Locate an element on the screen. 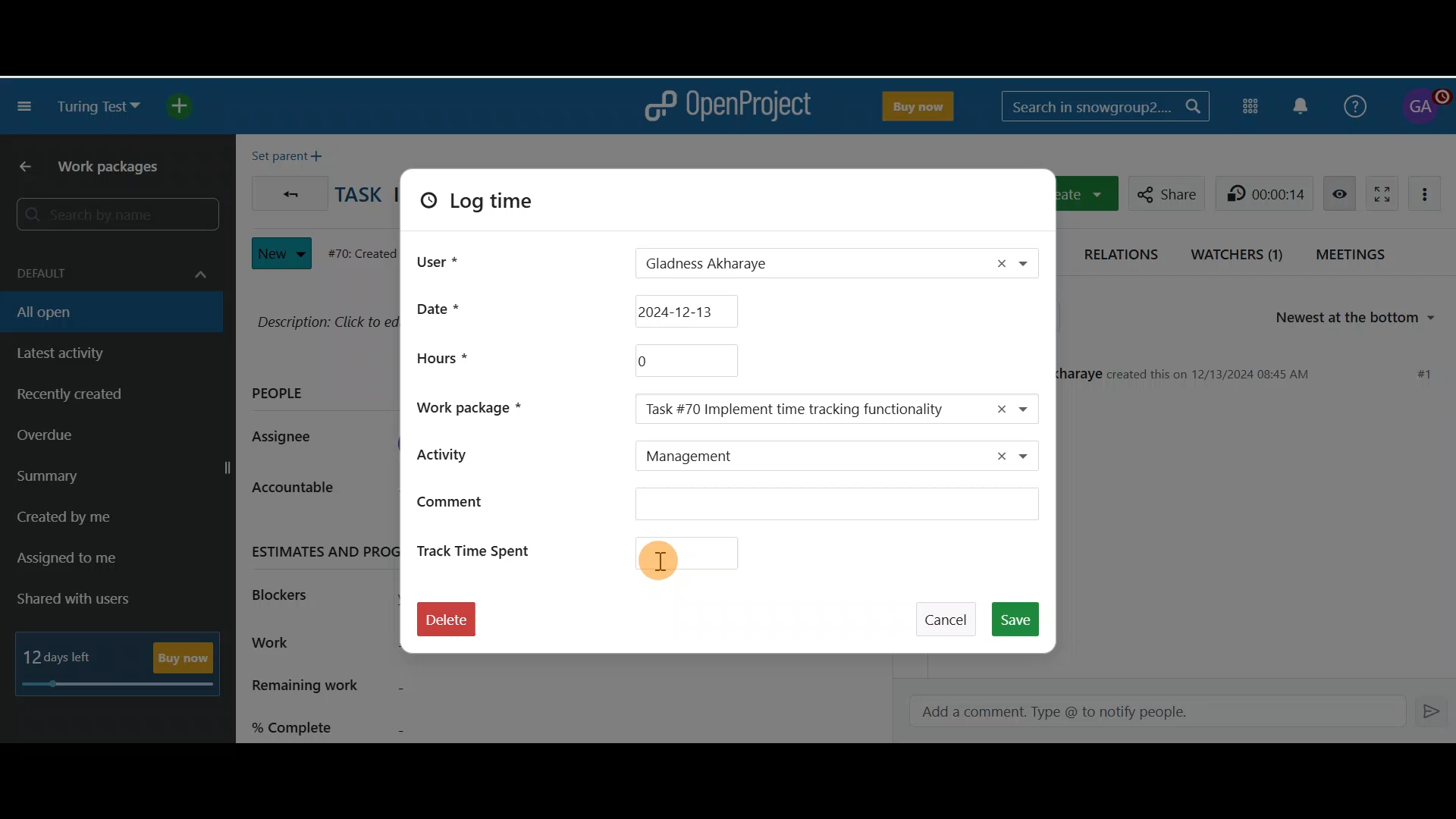  Management is located at coordinates (797, 457).